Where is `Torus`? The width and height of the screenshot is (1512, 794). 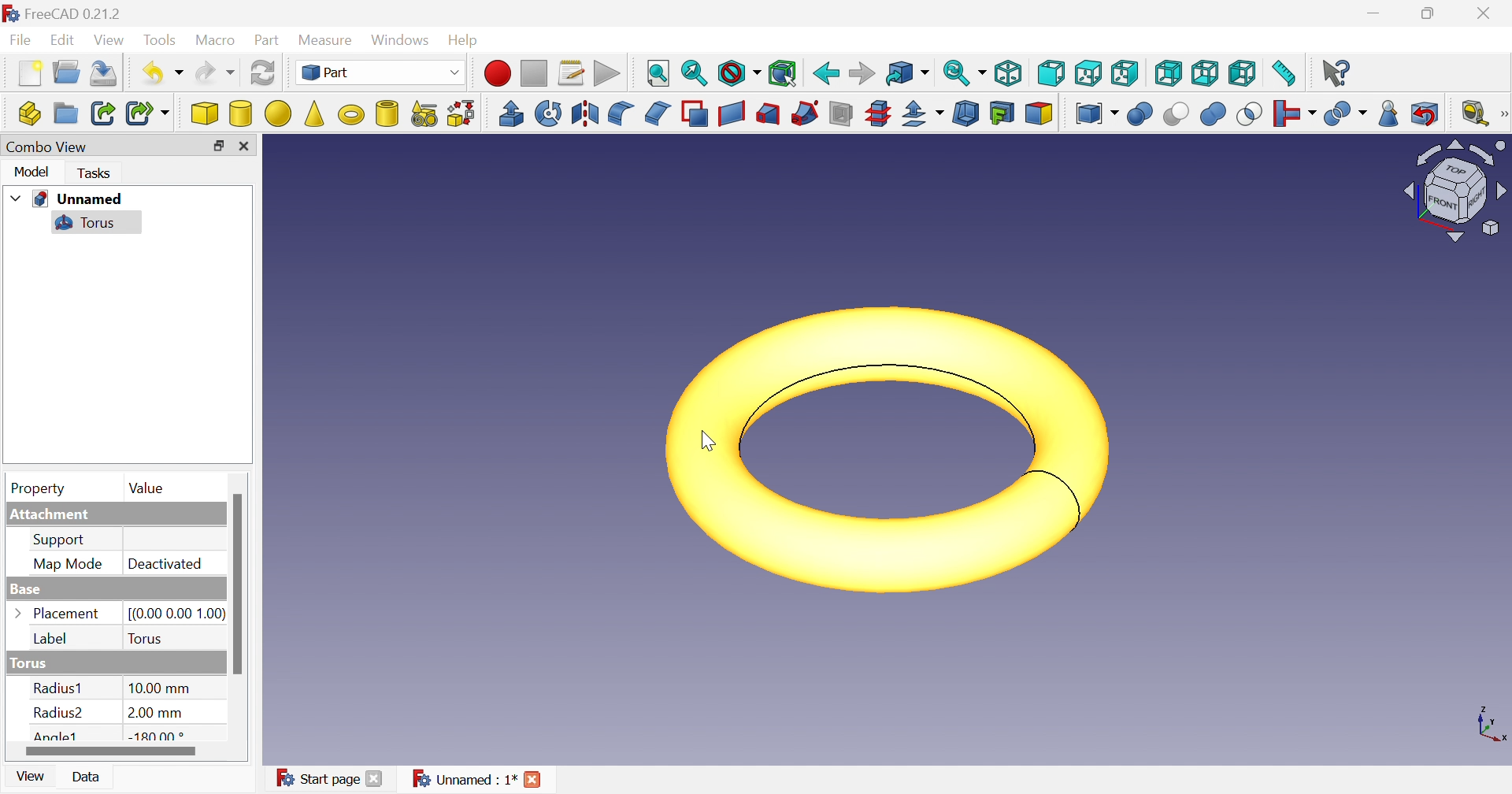 Torus is located at coordinates (146, 637).